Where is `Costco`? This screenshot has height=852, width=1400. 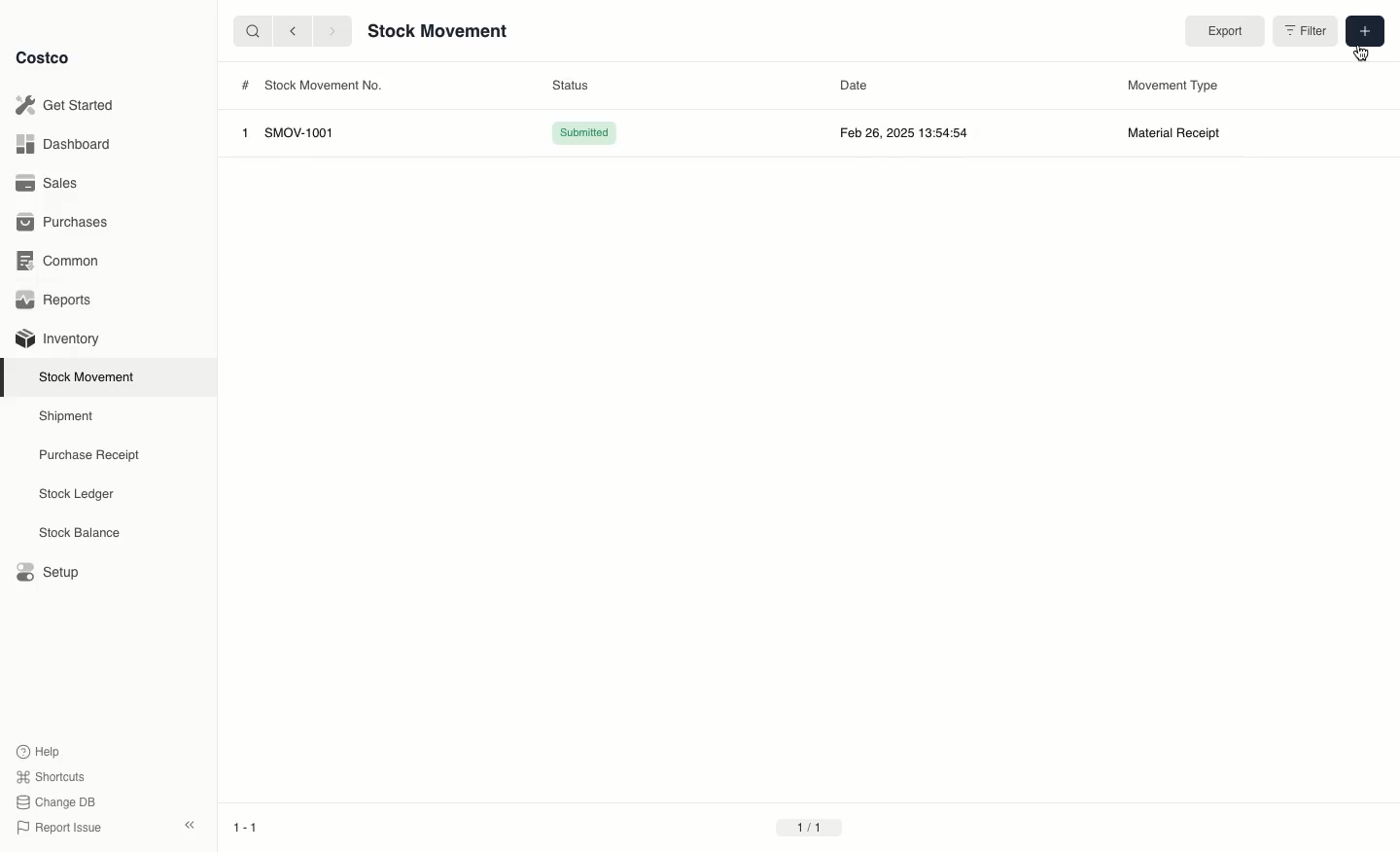 Costco is located at coordinates (44, 58).